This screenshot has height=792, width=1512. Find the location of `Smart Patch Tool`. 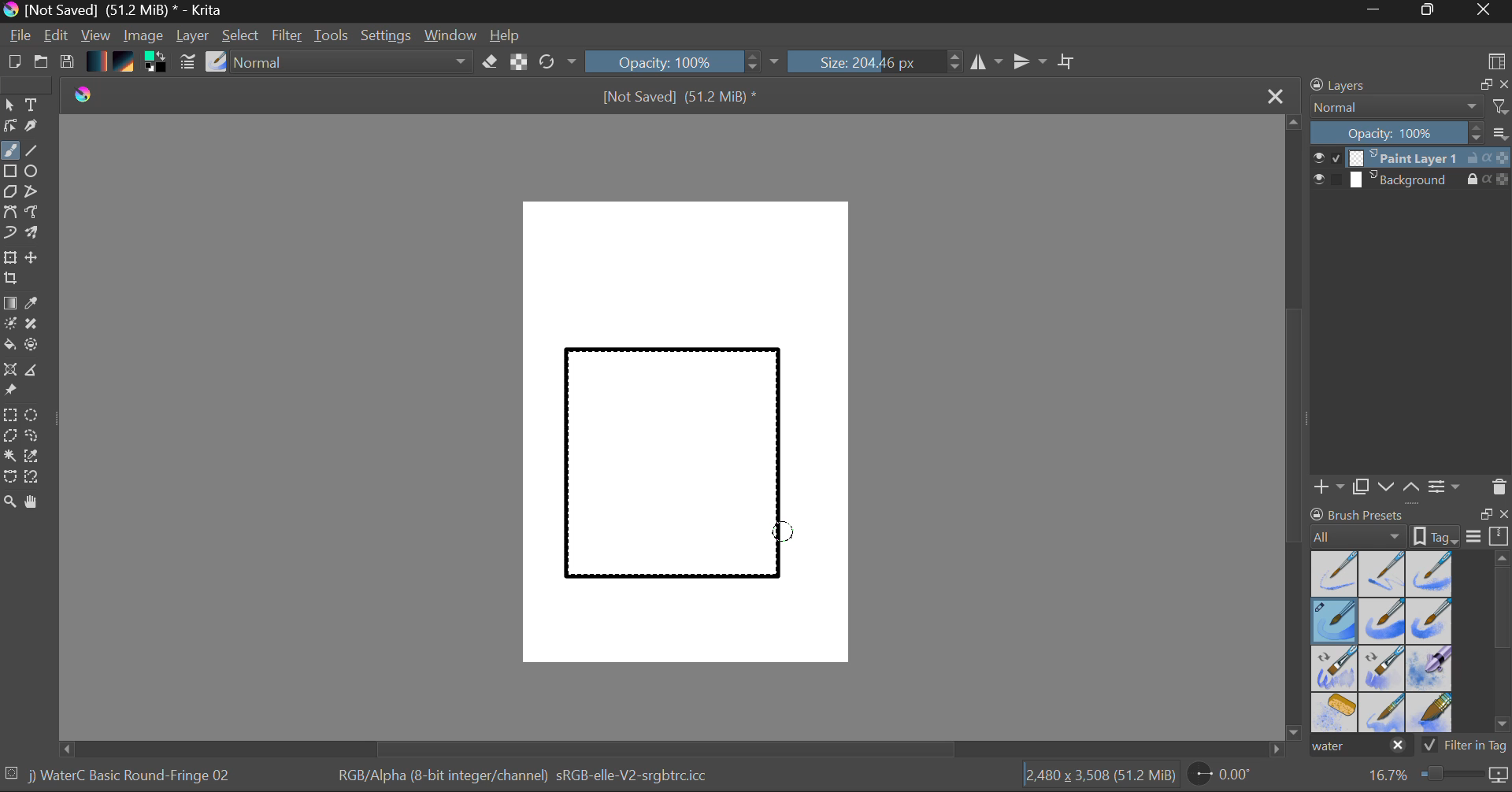

Smart Patch Tool is located at coordinates (37, 327).